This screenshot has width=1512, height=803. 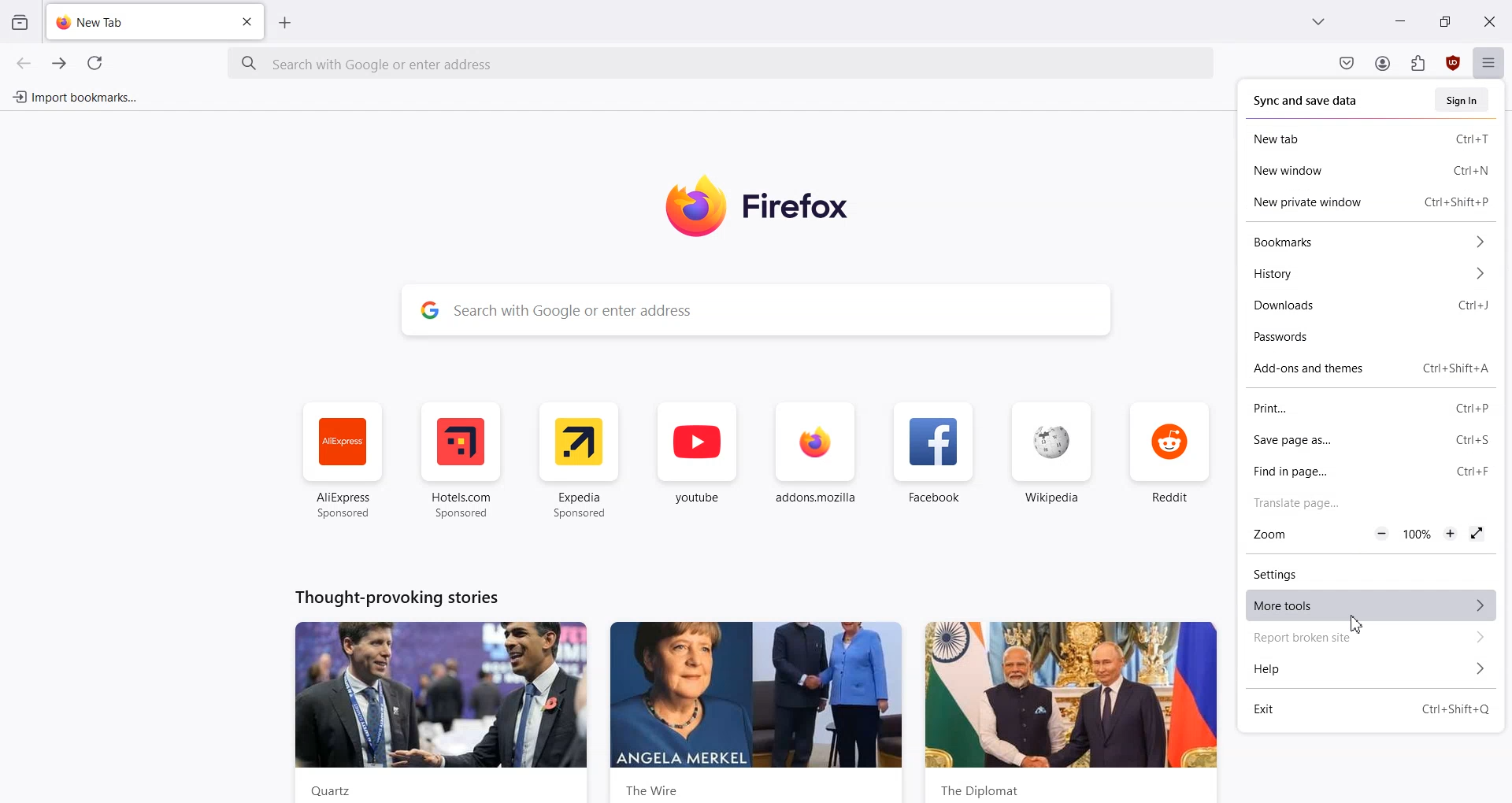 What do you see at coordinates (1052, 461) in the screenshot?
I see `Wikipedia` at bounding box center [1052, 461].